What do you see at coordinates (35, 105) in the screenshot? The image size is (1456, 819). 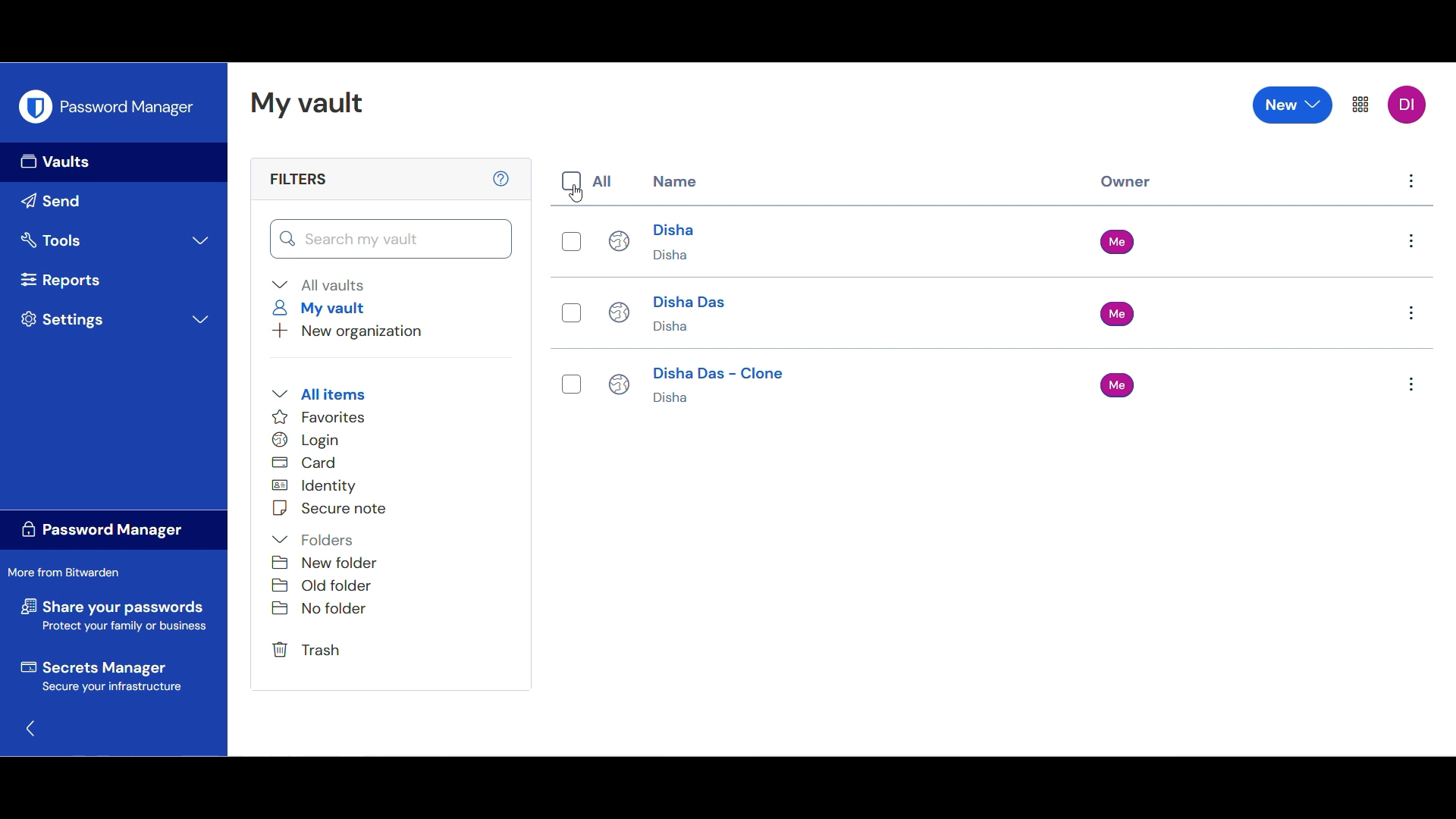 I see `Software logo` at bounding box center [35, 105].